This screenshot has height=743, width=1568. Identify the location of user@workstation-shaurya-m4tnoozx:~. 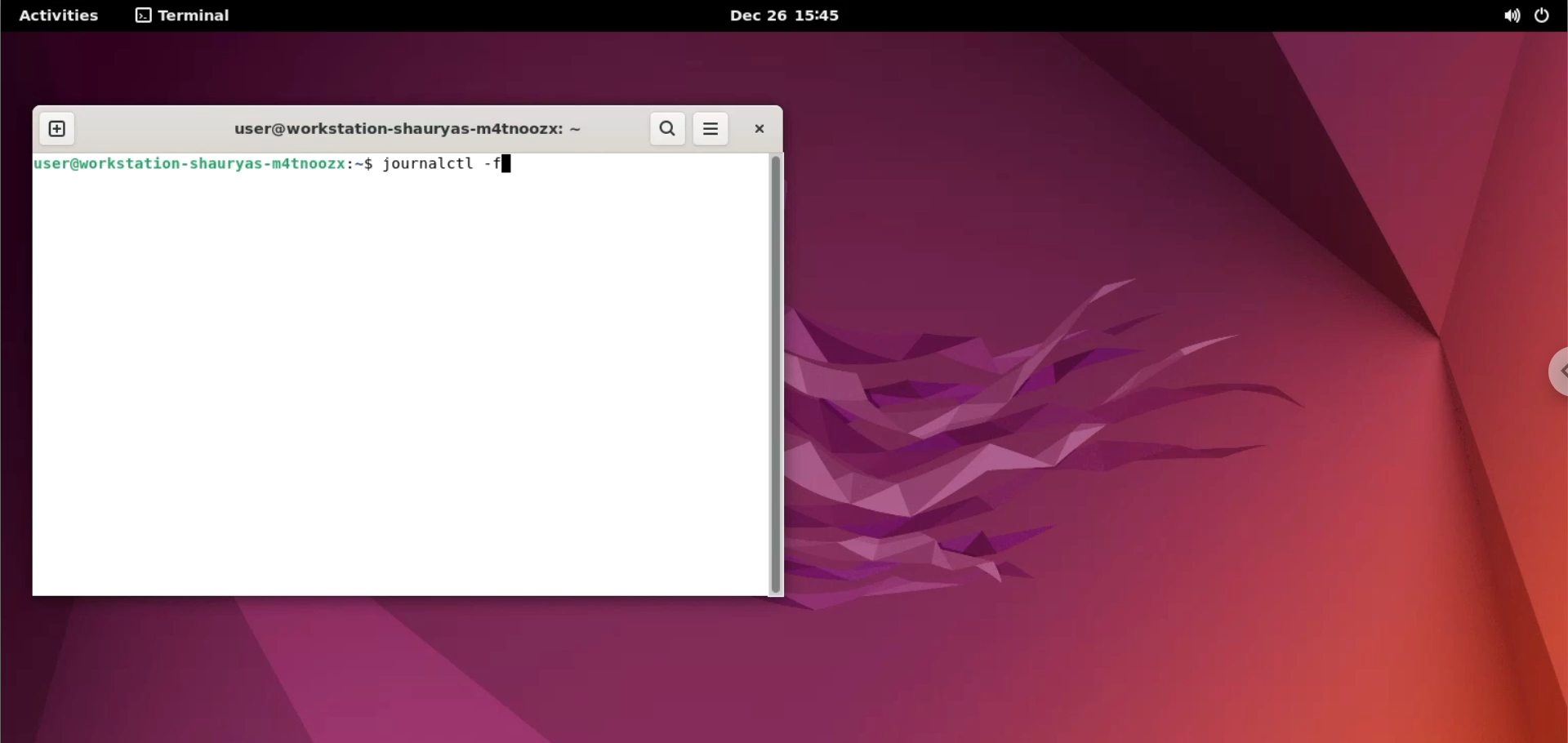
(405, 127).